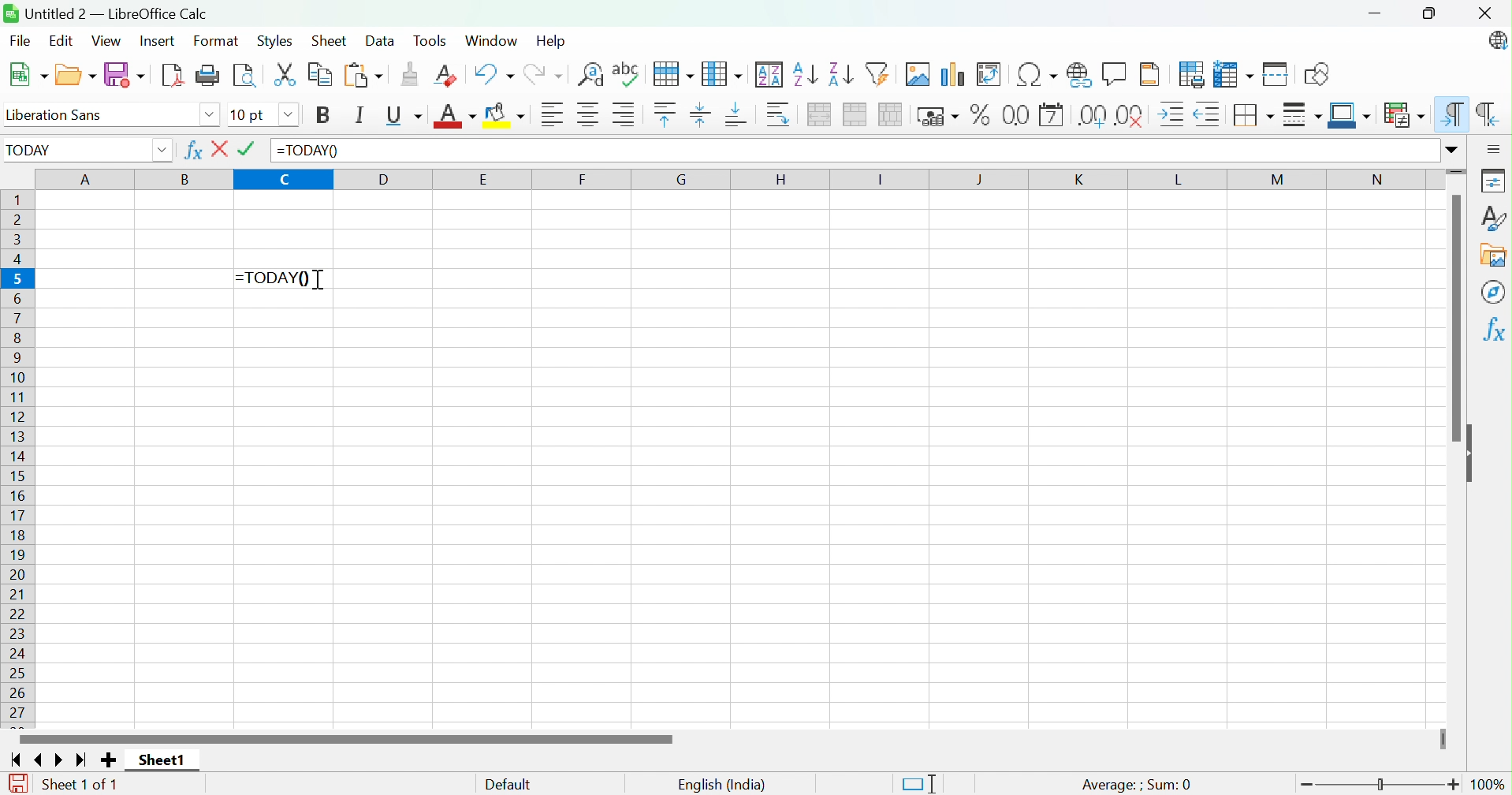 The height and width of the screenshot is (795, 1512). Describe the element at coordinates (245, 74) in the screenshot. I see `Toggle print preview` at that location.